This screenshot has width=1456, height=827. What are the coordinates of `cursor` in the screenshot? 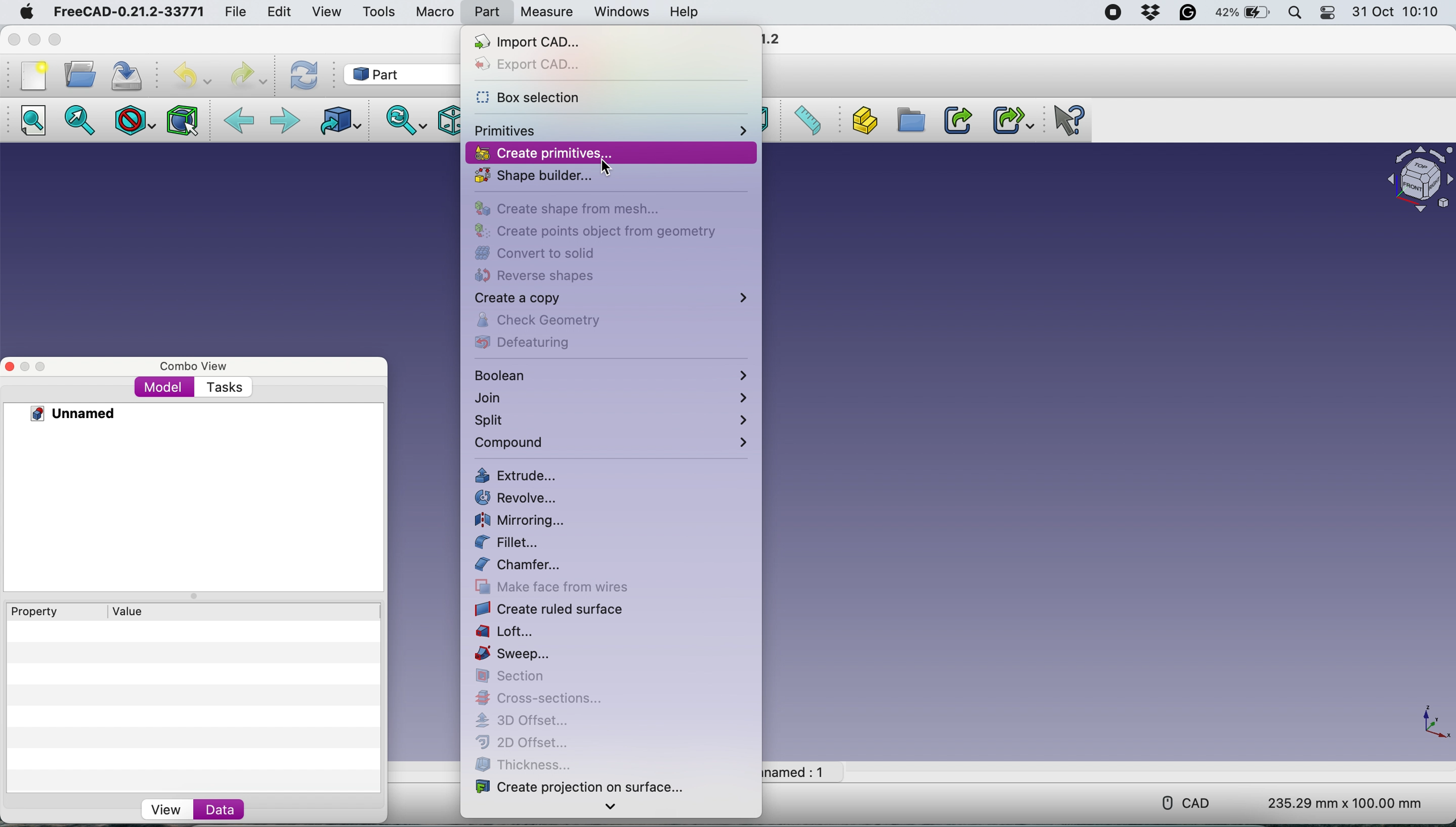 It's located at (608, 170).